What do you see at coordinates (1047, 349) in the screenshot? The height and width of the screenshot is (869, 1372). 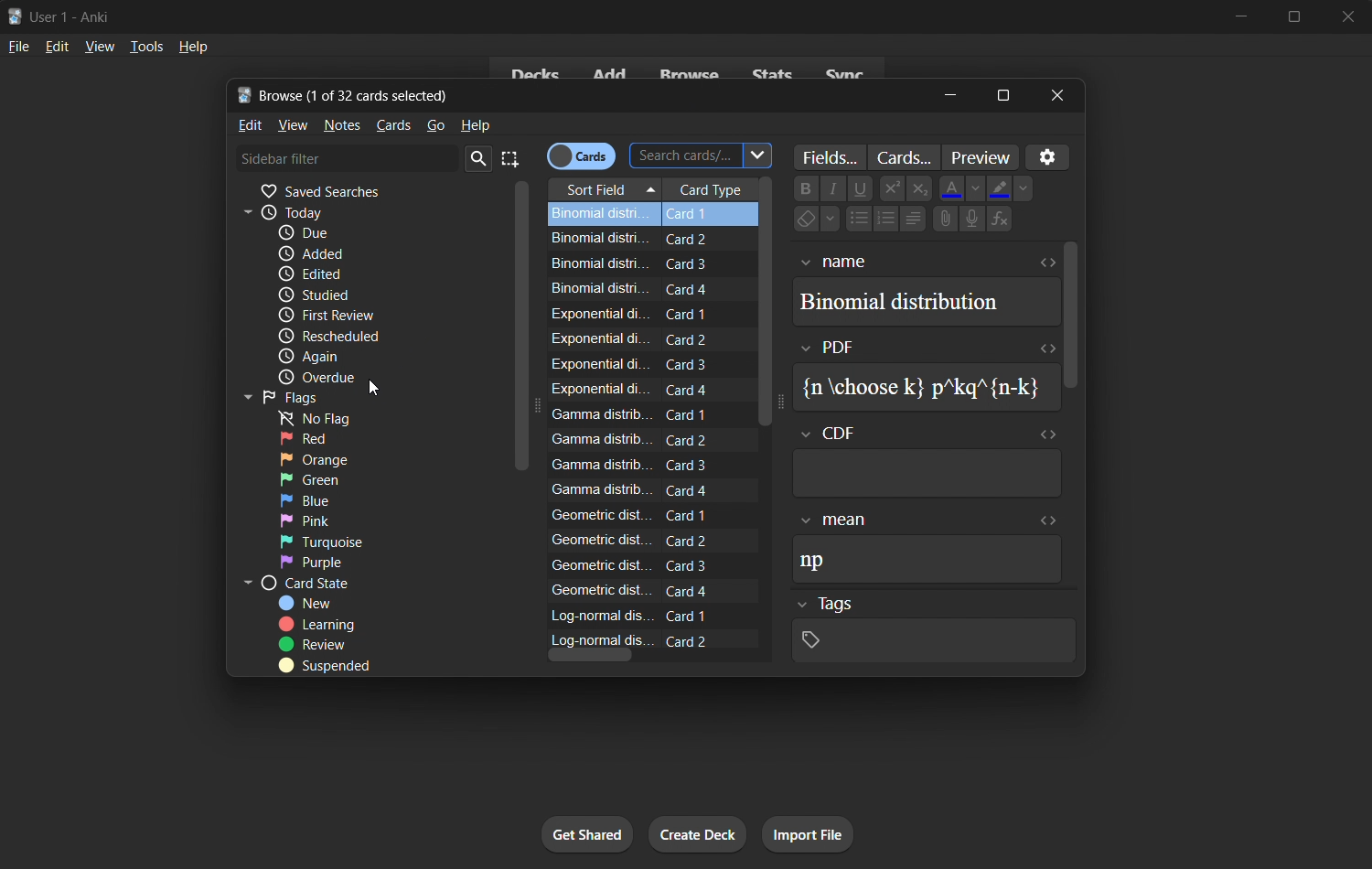 I see `expand` at bounding box center [1047, 349].